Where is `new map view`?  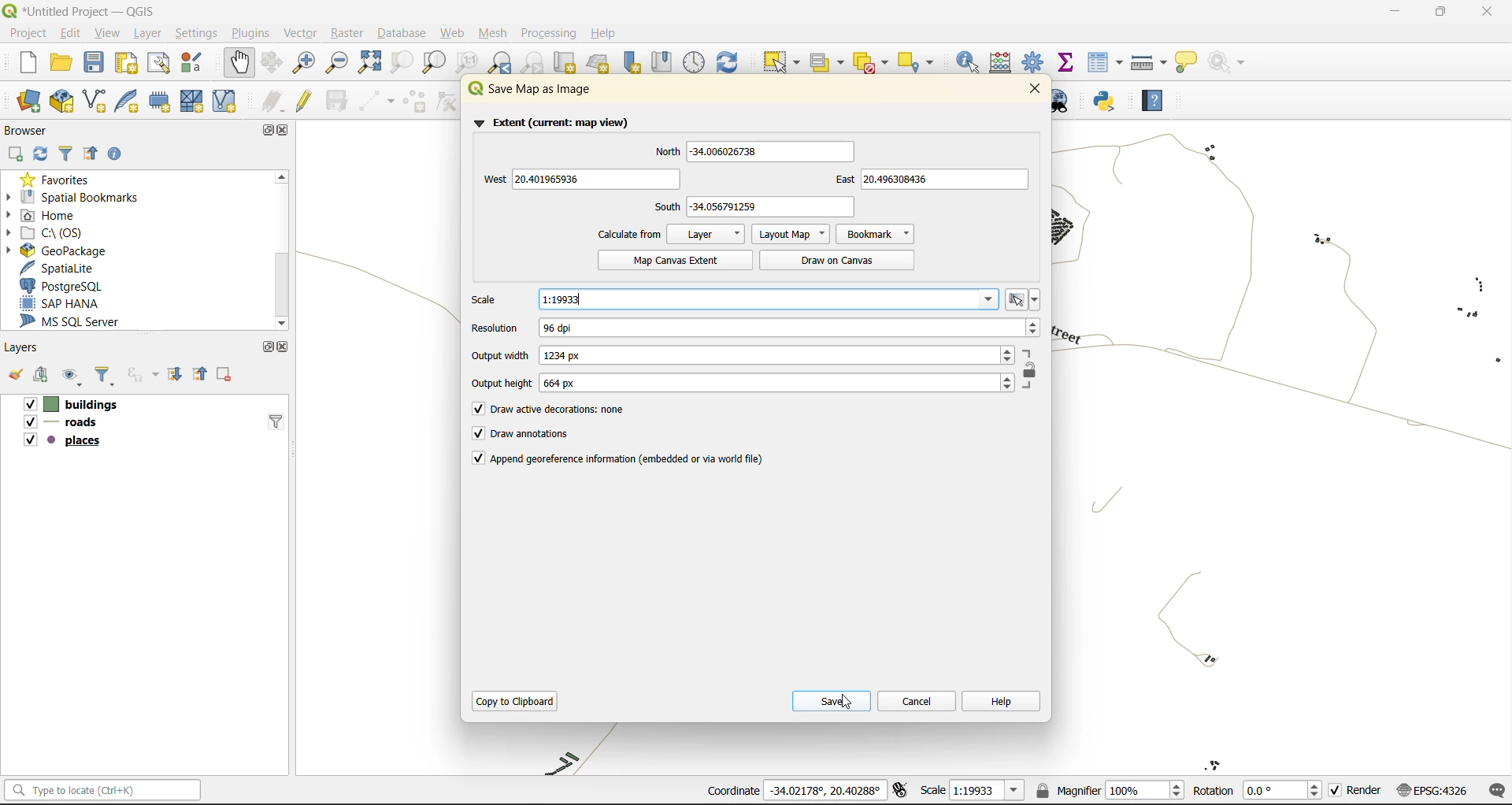
new map view is located at coordinates (563, 62).